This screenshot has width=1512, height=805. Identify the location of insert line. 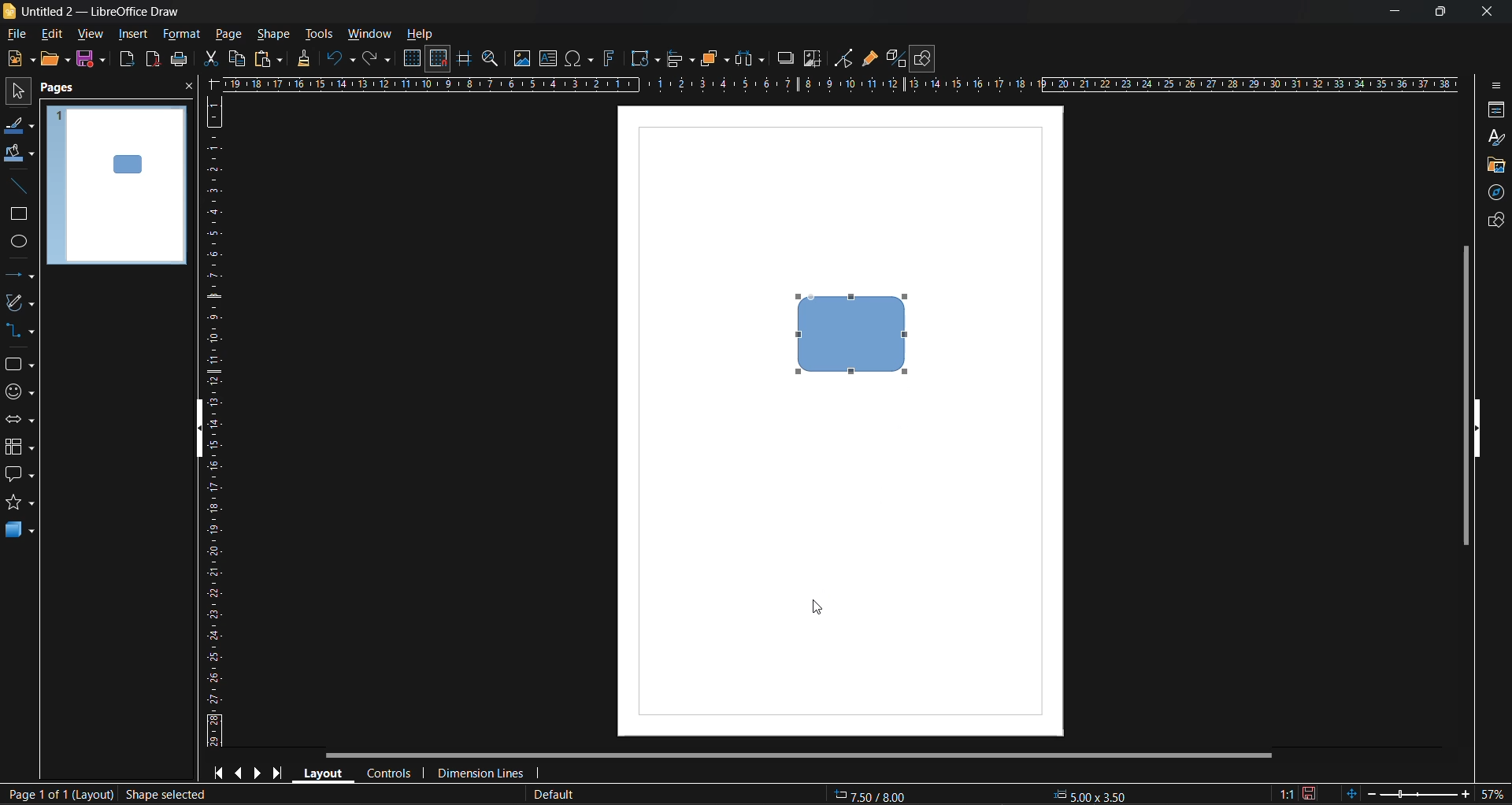
(24, 188).